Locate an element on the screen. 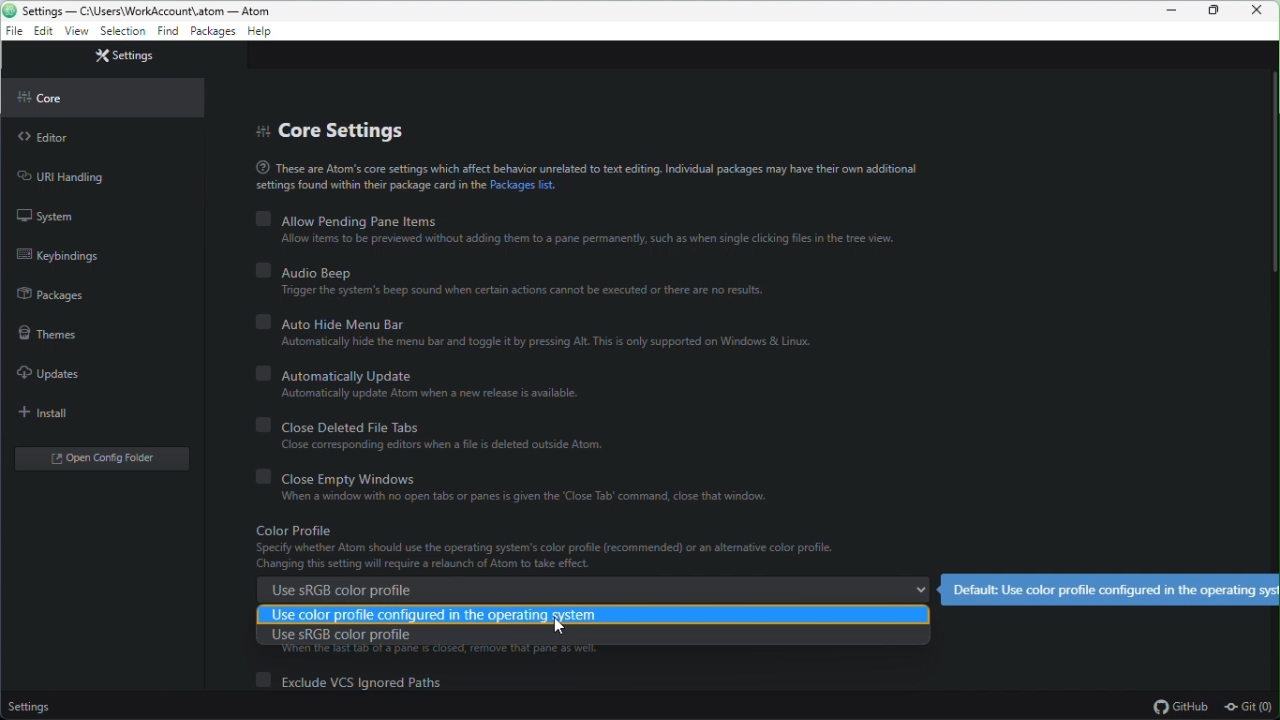 The height and width of the screenshot is (720, 1280). Updates is located at coordinates (44, 373).